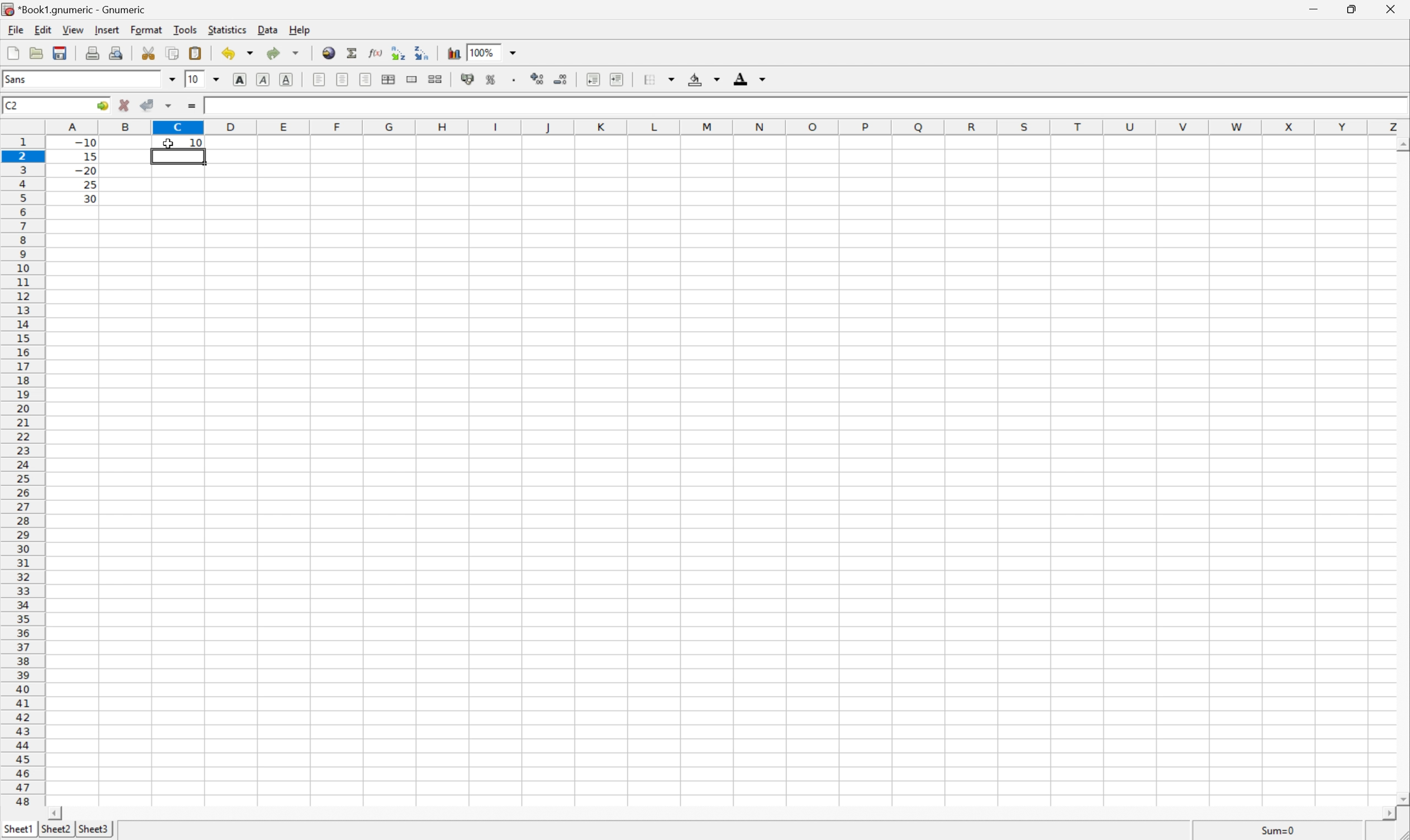  Describe the element at coordinates (375, 52) in the screenshot. I see `Edit a function in current cell` at that location.